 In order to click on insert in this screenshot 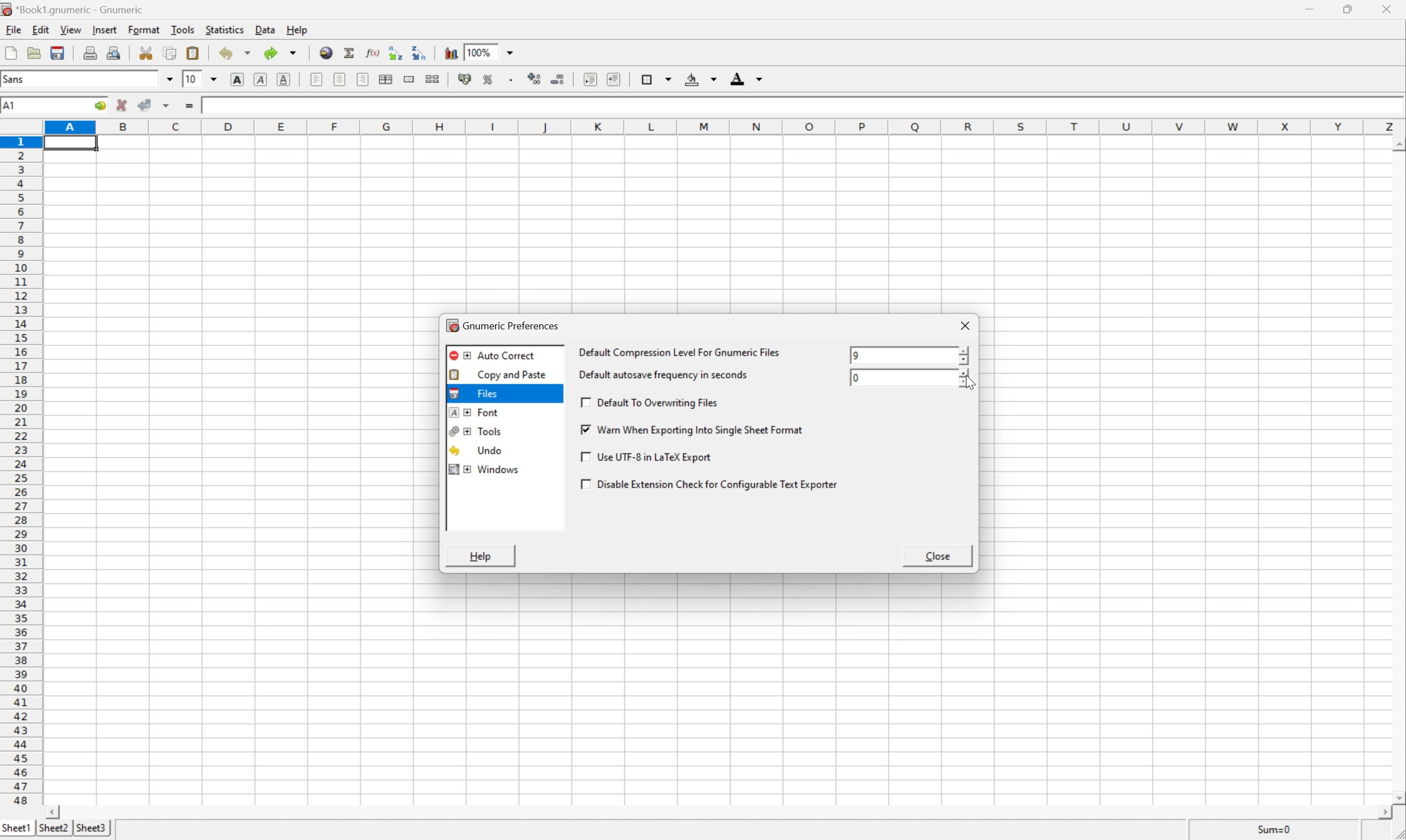, I will do `click(105, 31)`.